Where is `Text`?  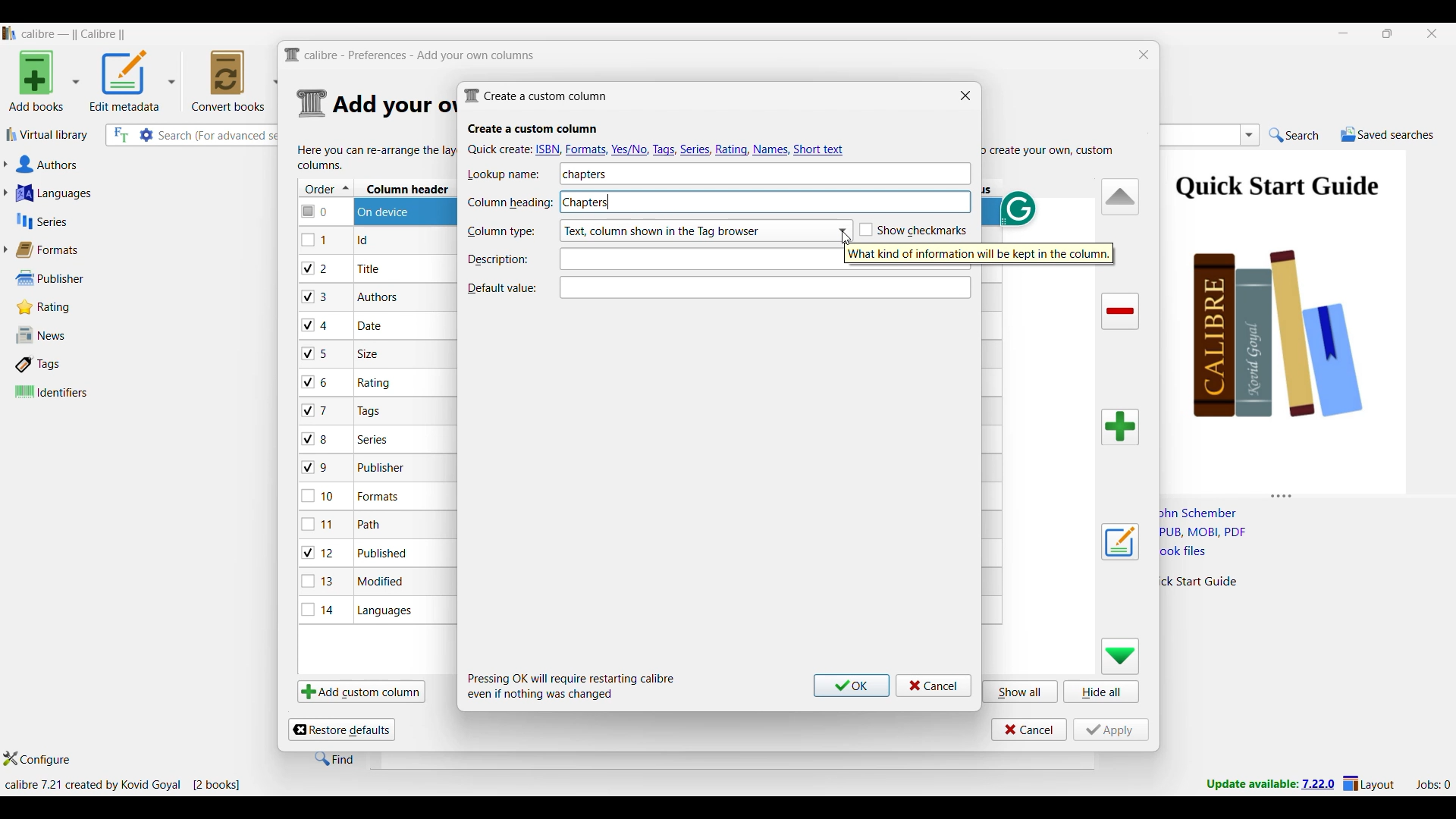 Text is located at coordinates (767, 287).